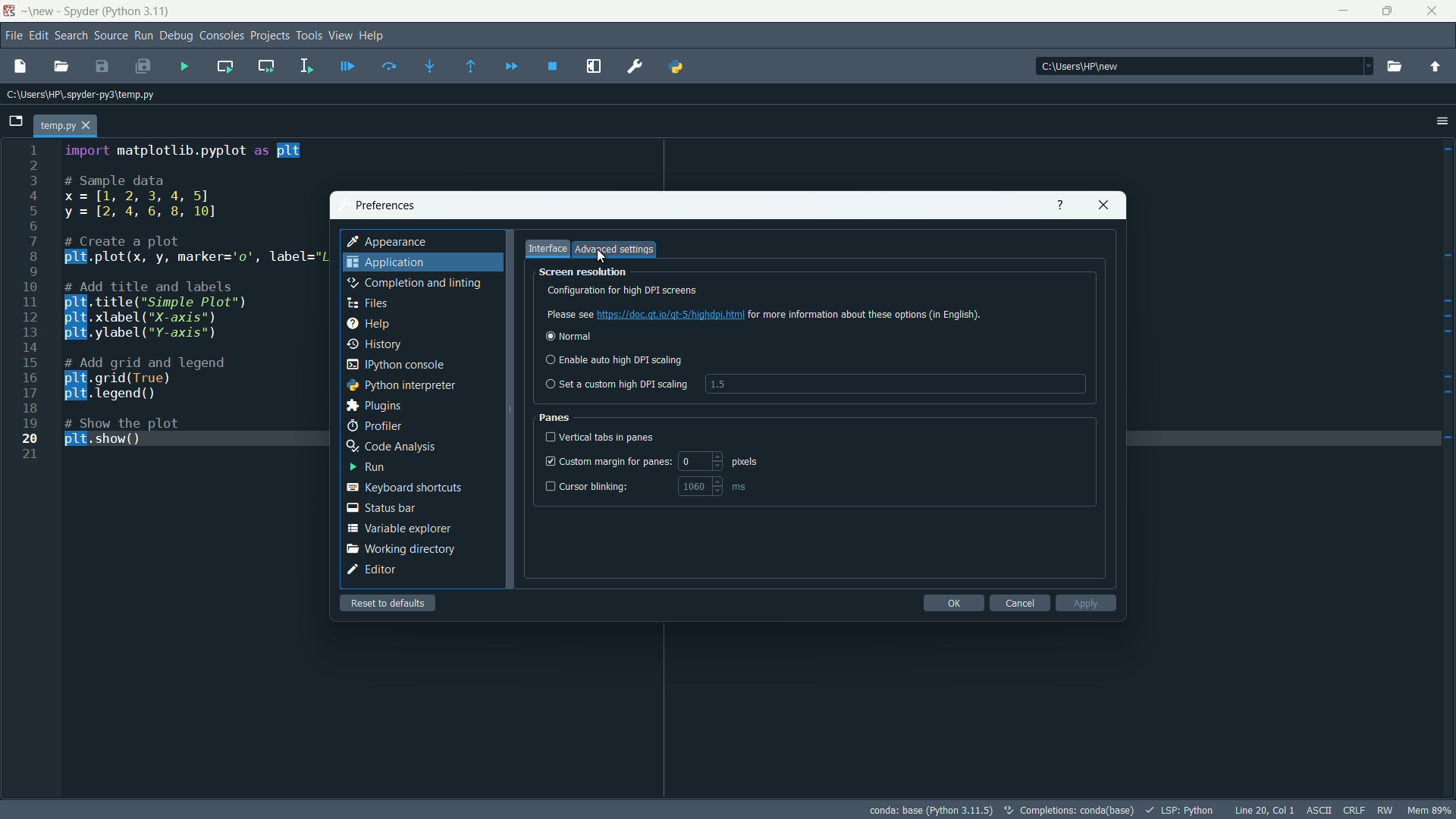 Image resolution: width=1456 pixels, height=819 pixels. What do you see at coordinates (37, 35) in the screenshot?
I see `edit` at bounding box center [37, 35].